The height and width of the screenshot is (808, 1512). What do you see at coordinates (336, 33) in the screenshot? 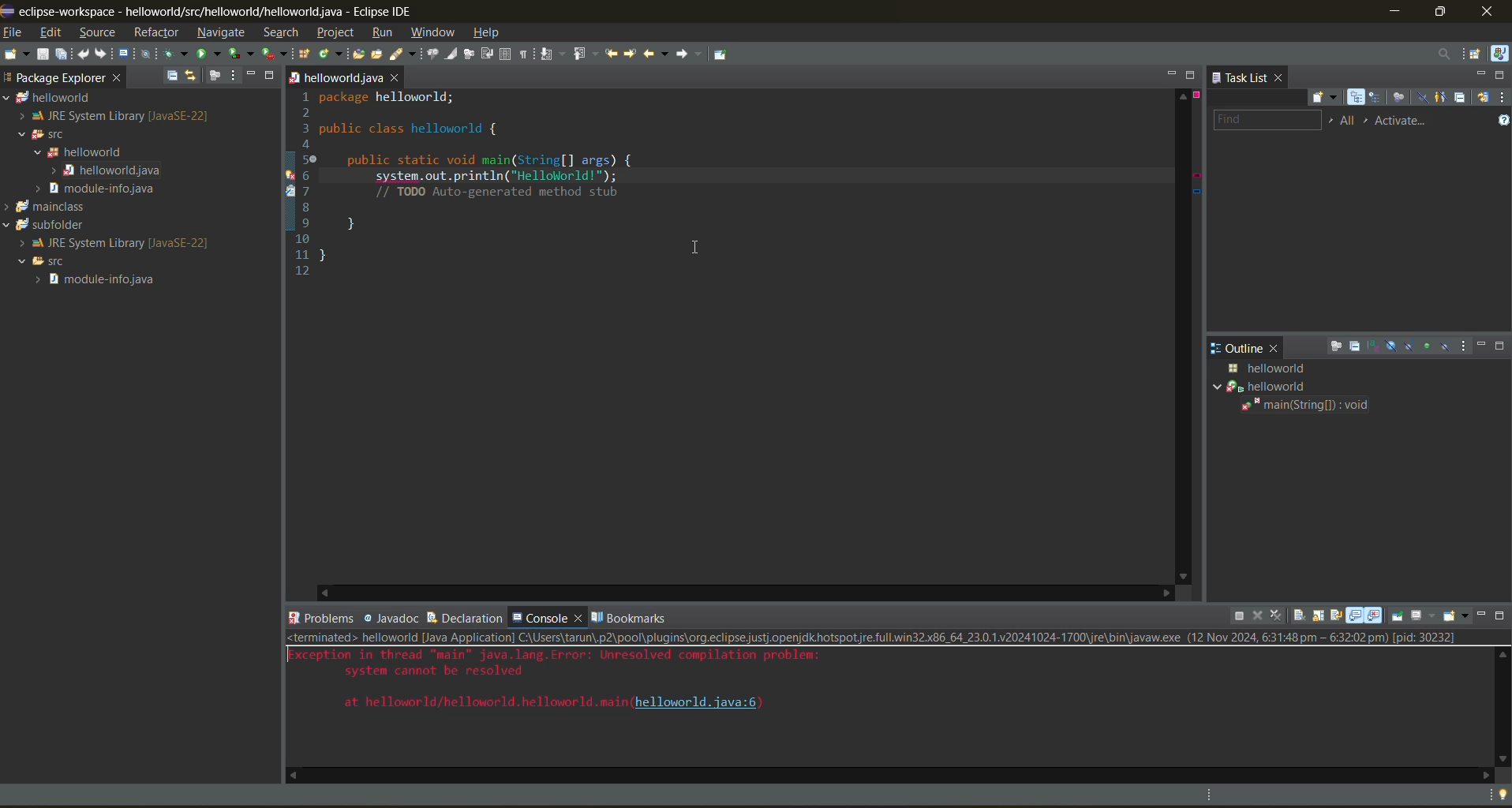
I see `project` at bounding box center [336, 33].